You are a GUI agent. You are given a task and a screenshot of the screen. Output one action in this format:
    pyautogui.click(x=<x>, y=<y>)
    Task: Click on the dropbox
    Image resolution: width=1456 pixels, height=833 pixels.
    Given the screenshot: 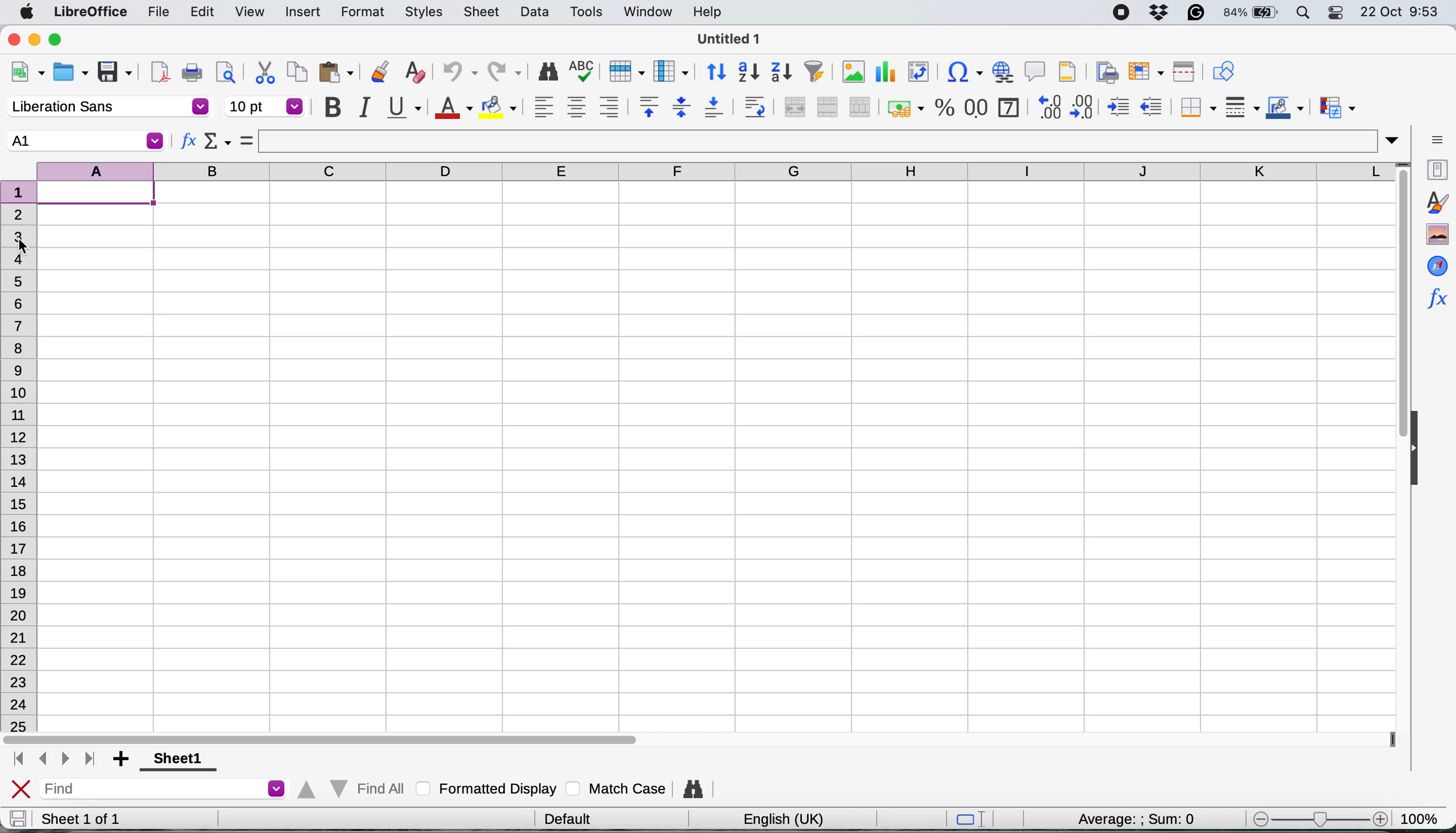 What is the action you would take?
    pyautogui.click(x=1163, y=12)
    